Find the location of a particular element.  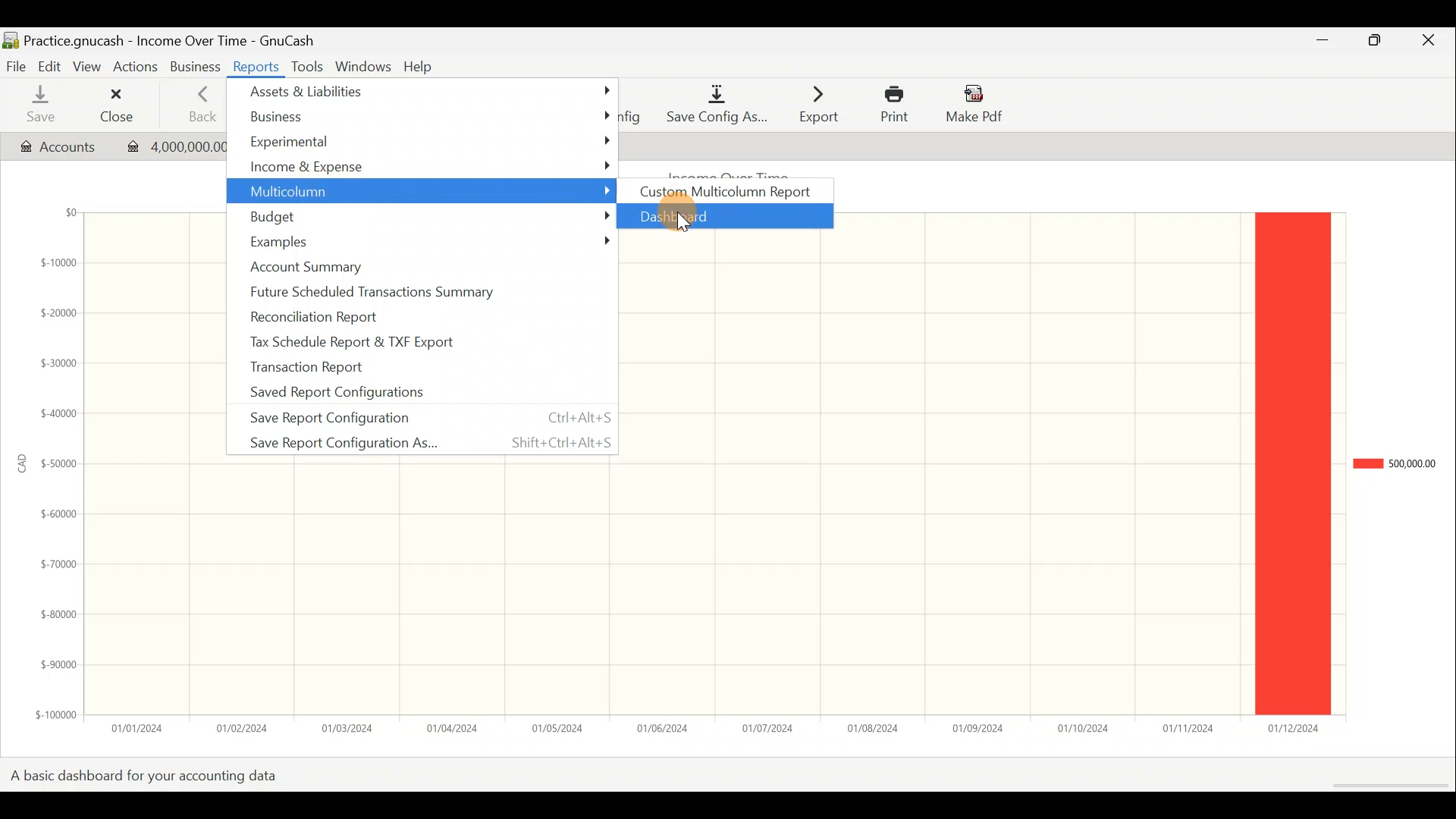

Income & expense is located at coordinates (425, 167).